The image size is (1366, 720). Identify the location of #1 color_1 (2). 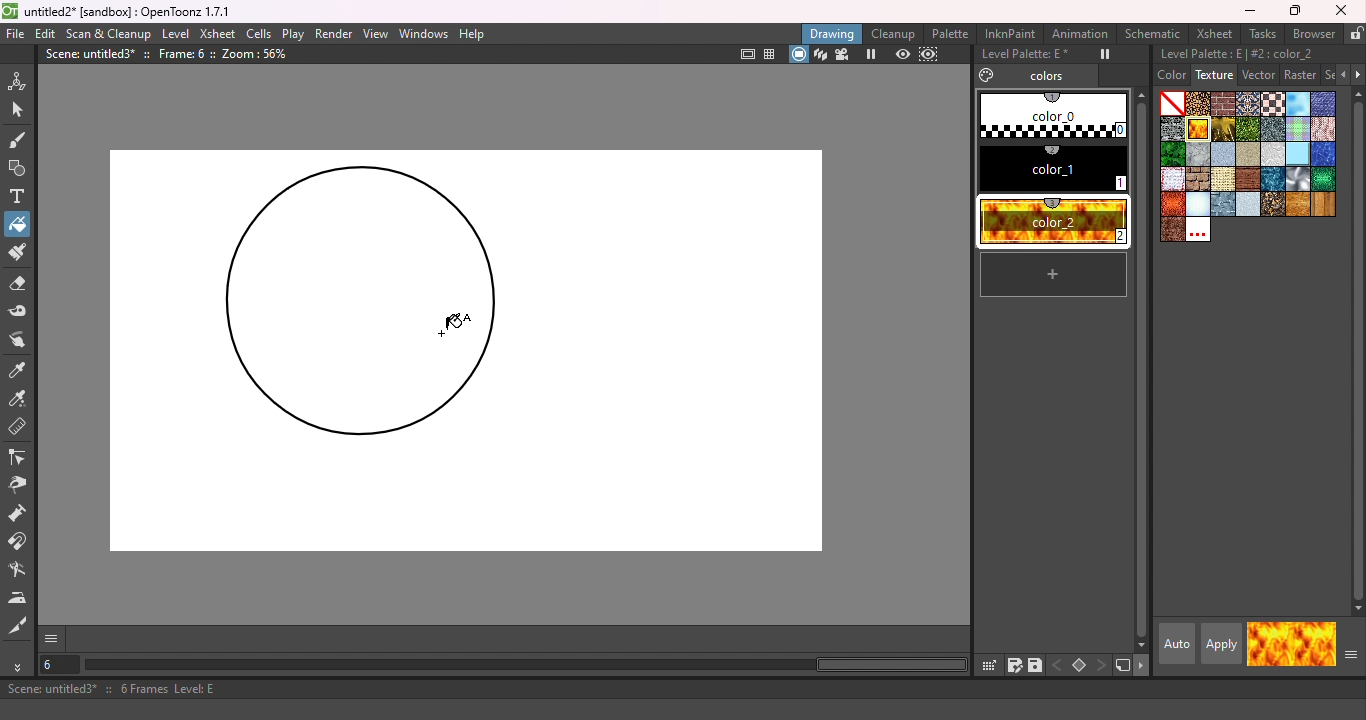
(1049, 170).